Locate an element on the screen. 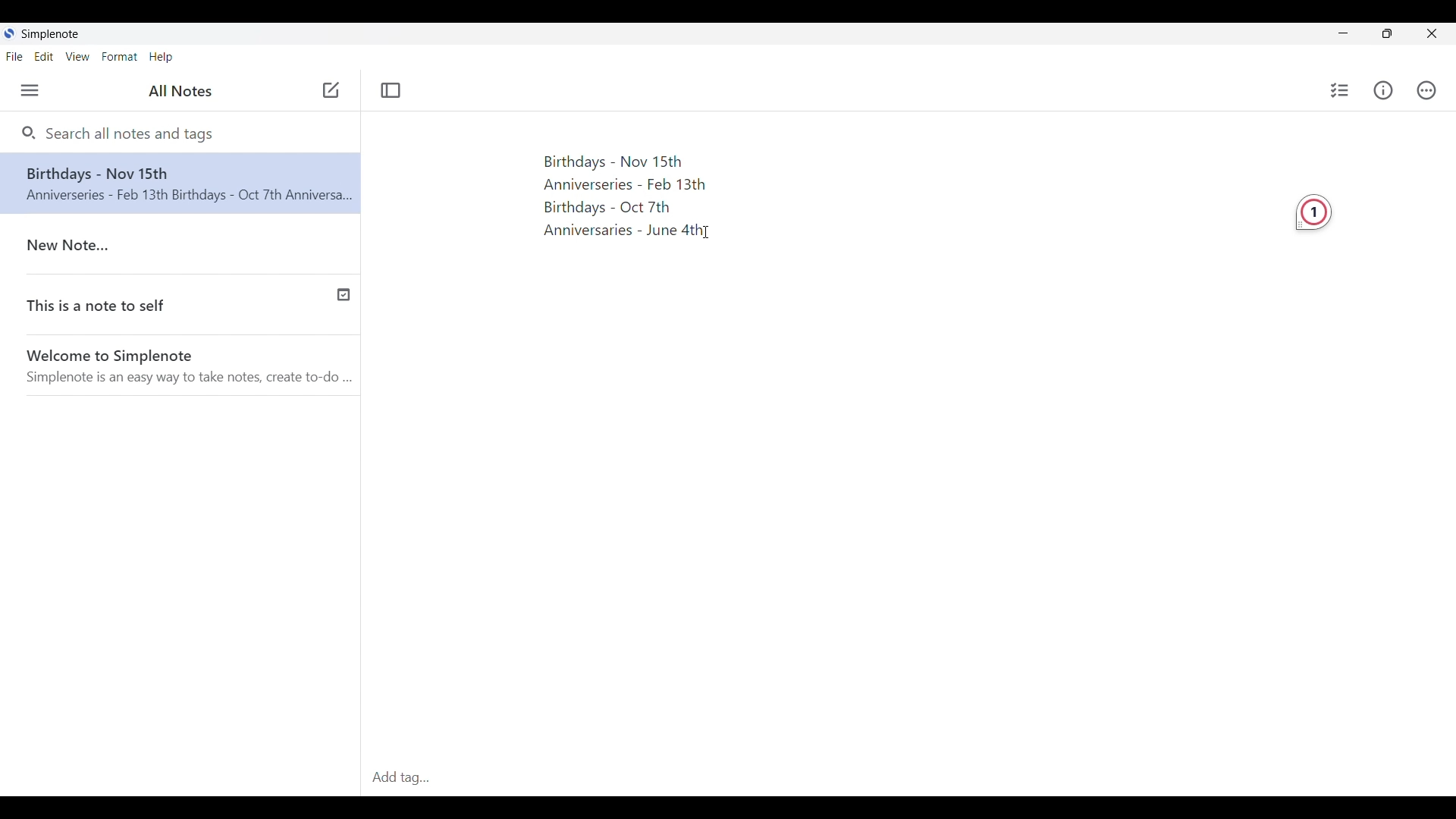  Format menu is located at coordinates (119, 56).